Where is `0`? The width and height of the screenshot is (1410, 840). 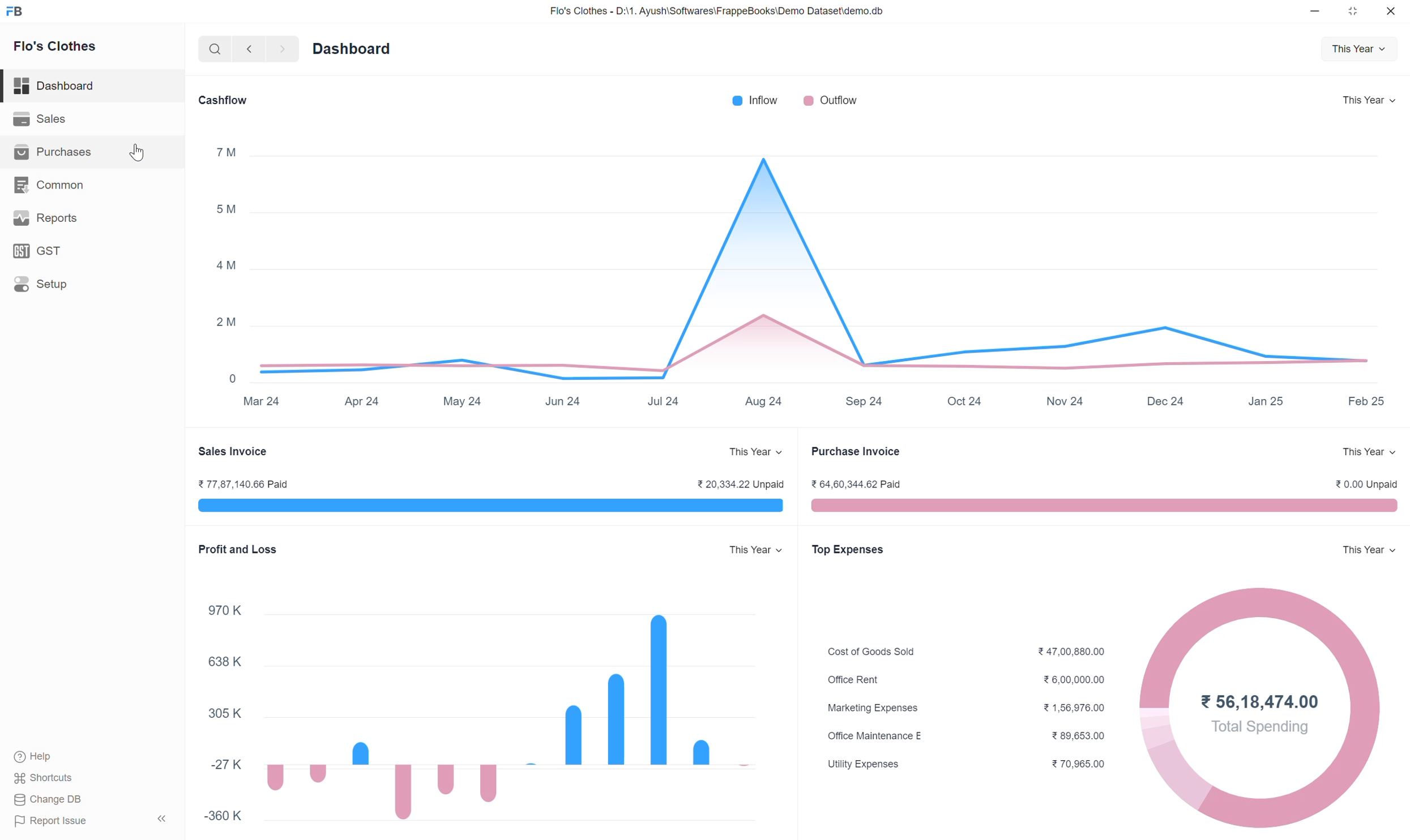
0 is located at coordinates (233, 378).